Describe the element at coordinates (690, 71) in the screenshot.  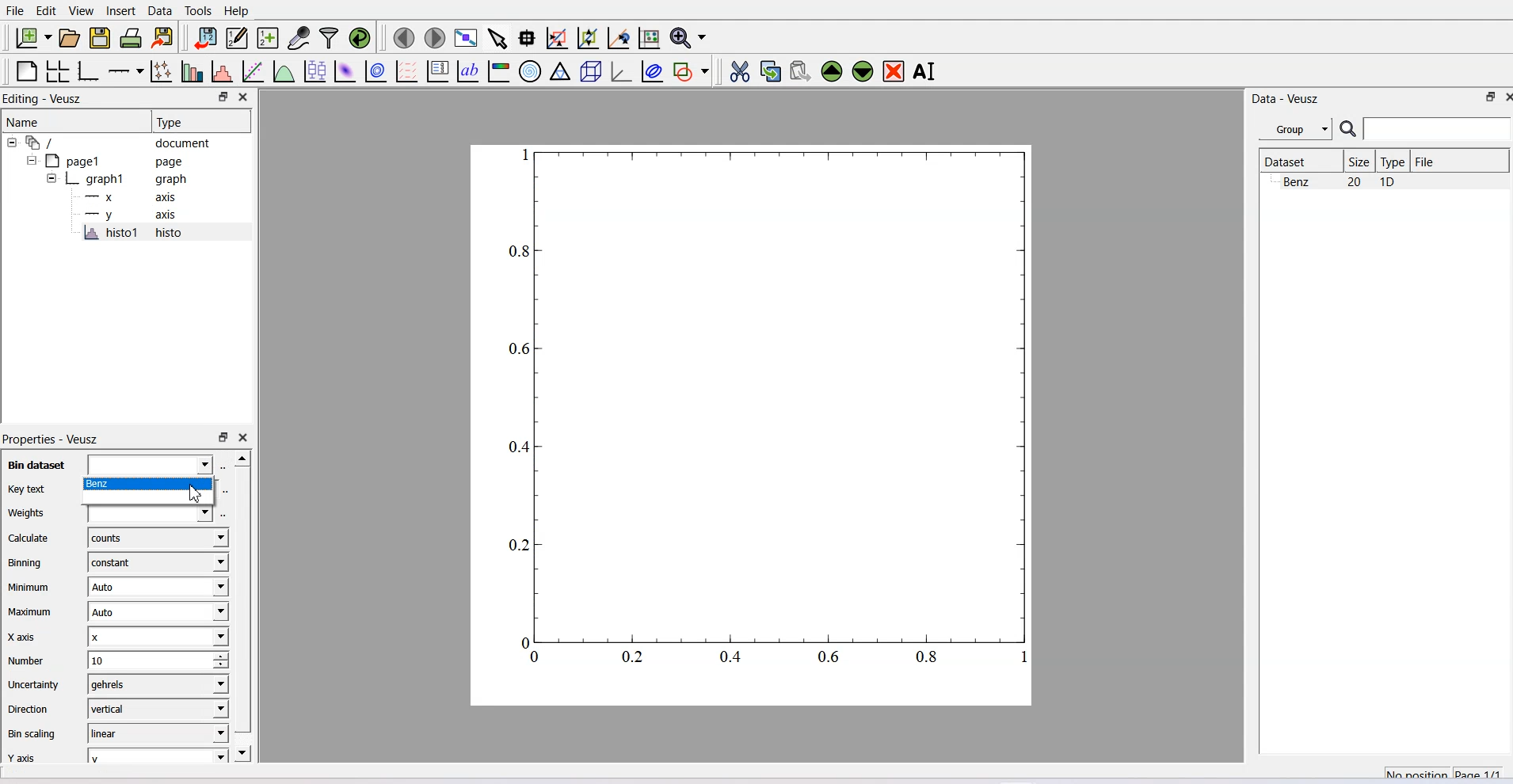
I see `Add shape to the plot` at that location.